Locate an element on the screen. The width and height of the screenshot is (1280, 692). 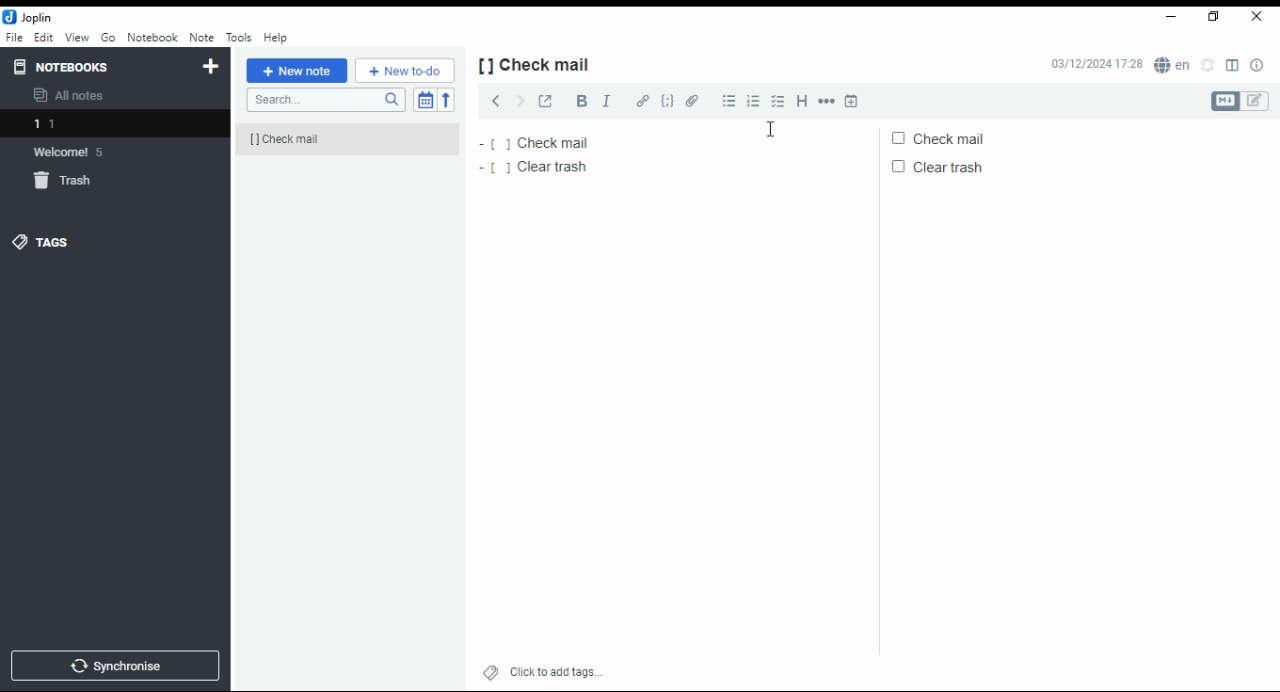
all notes is located at coordinates (71, 95).